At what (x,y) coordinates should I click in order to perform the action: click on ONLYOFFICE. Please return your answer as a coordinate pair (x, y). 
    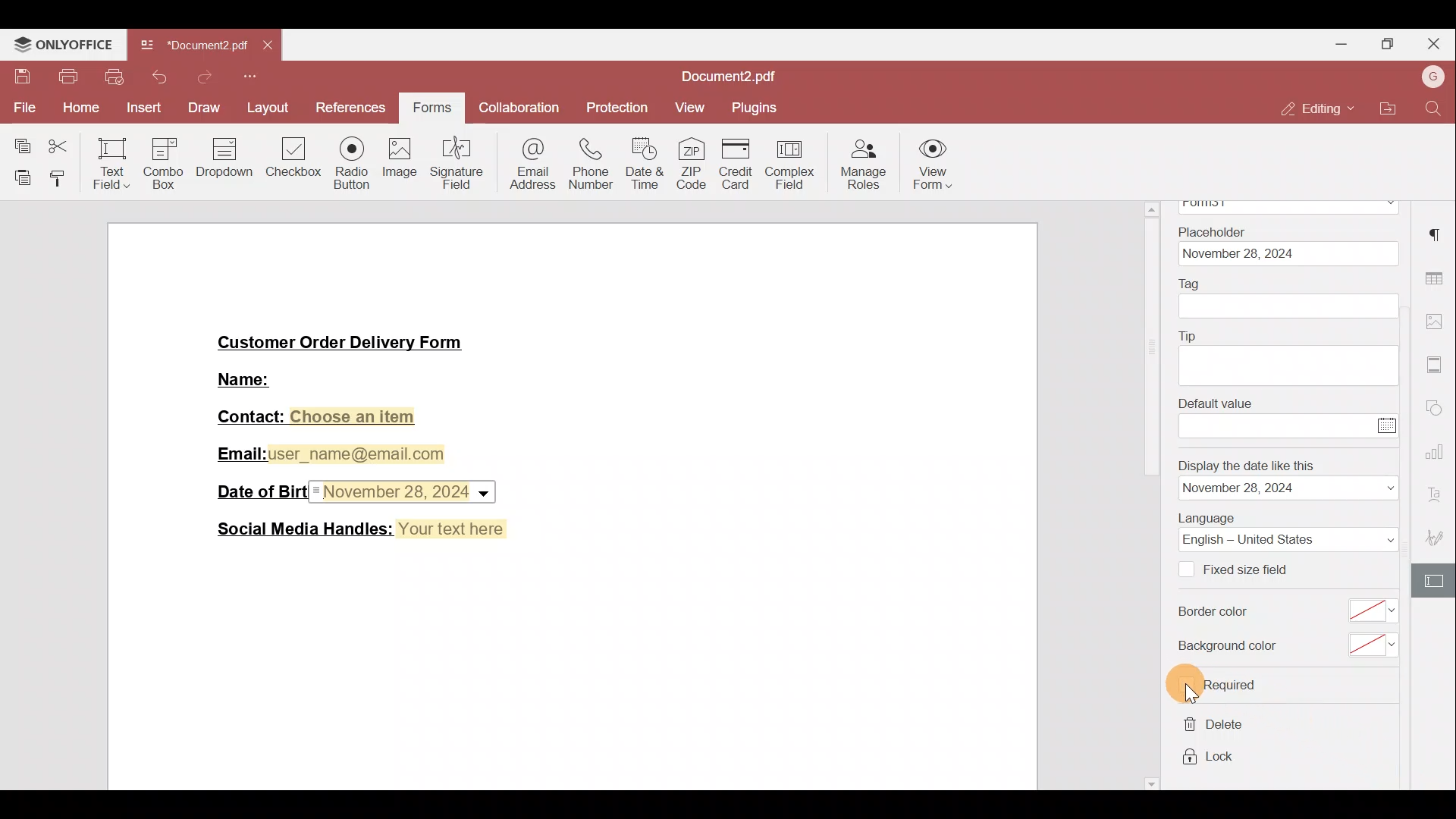
    Looking at the image, I should click on (63, 42).